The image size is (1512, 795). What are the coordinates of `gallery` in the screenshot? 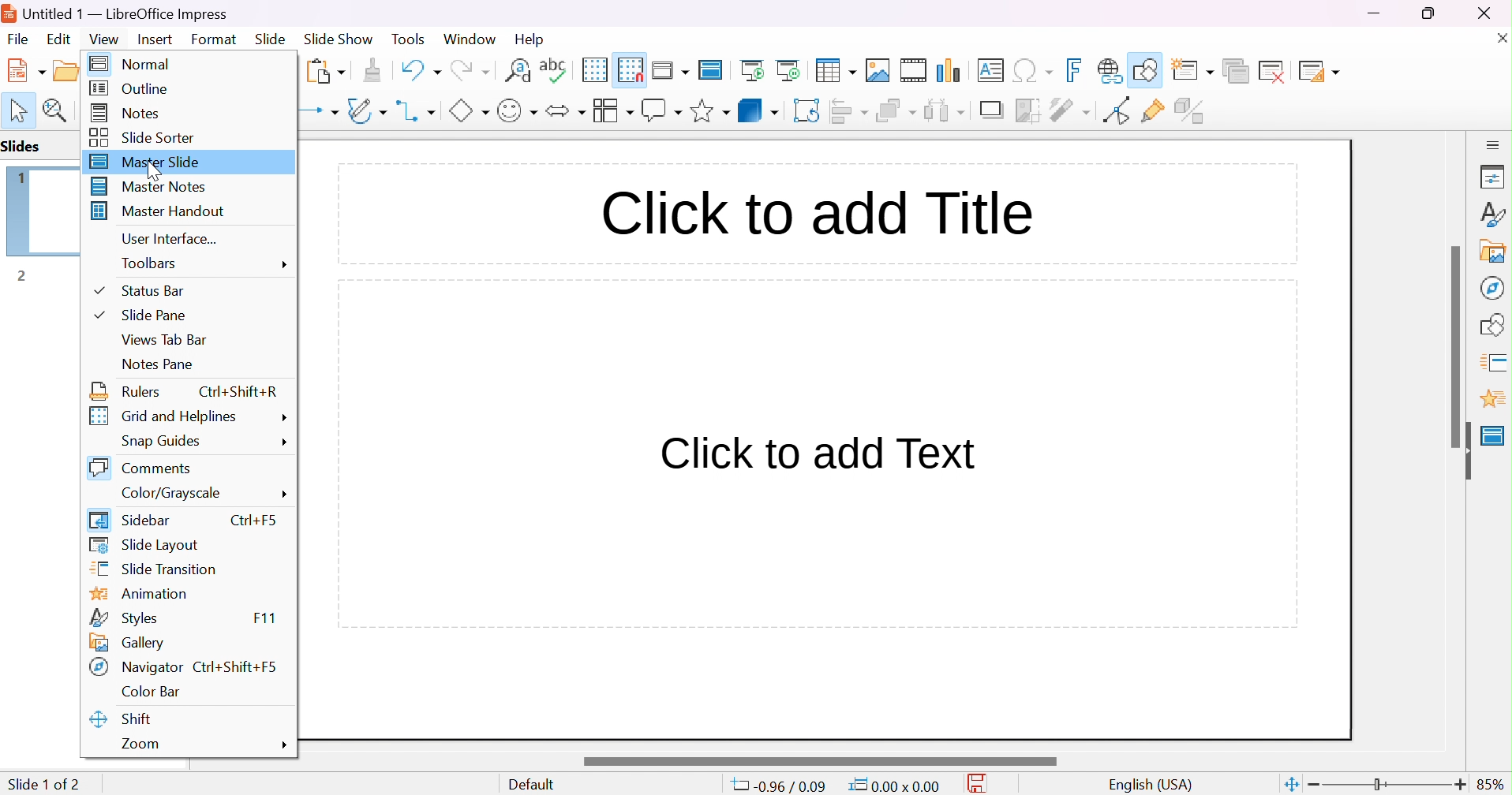 It's located at (128, 642).